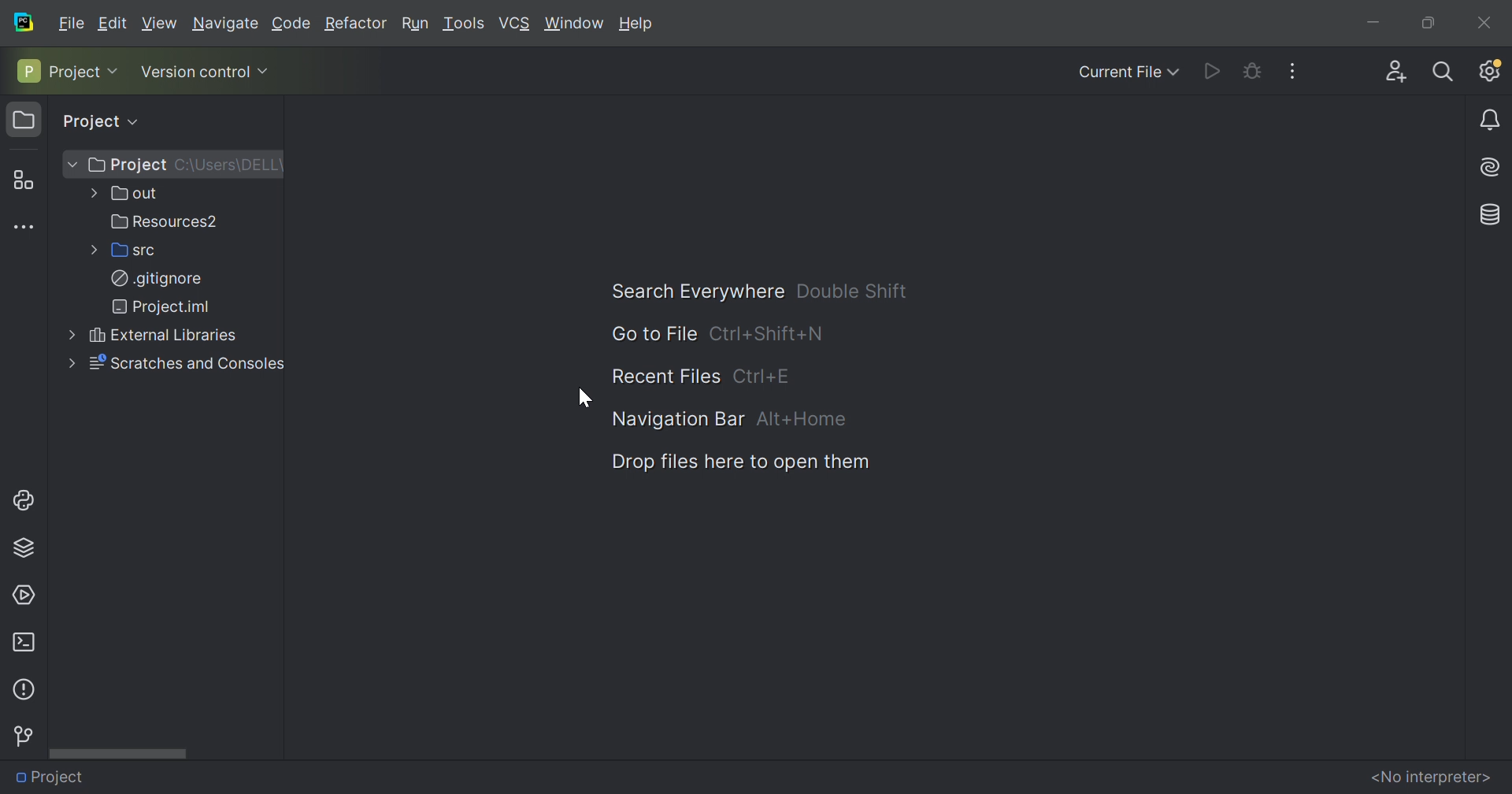 Image resolution: width=1512 pixels, height=794 pixels. I want to click on Drop Down, so click(117, 70).